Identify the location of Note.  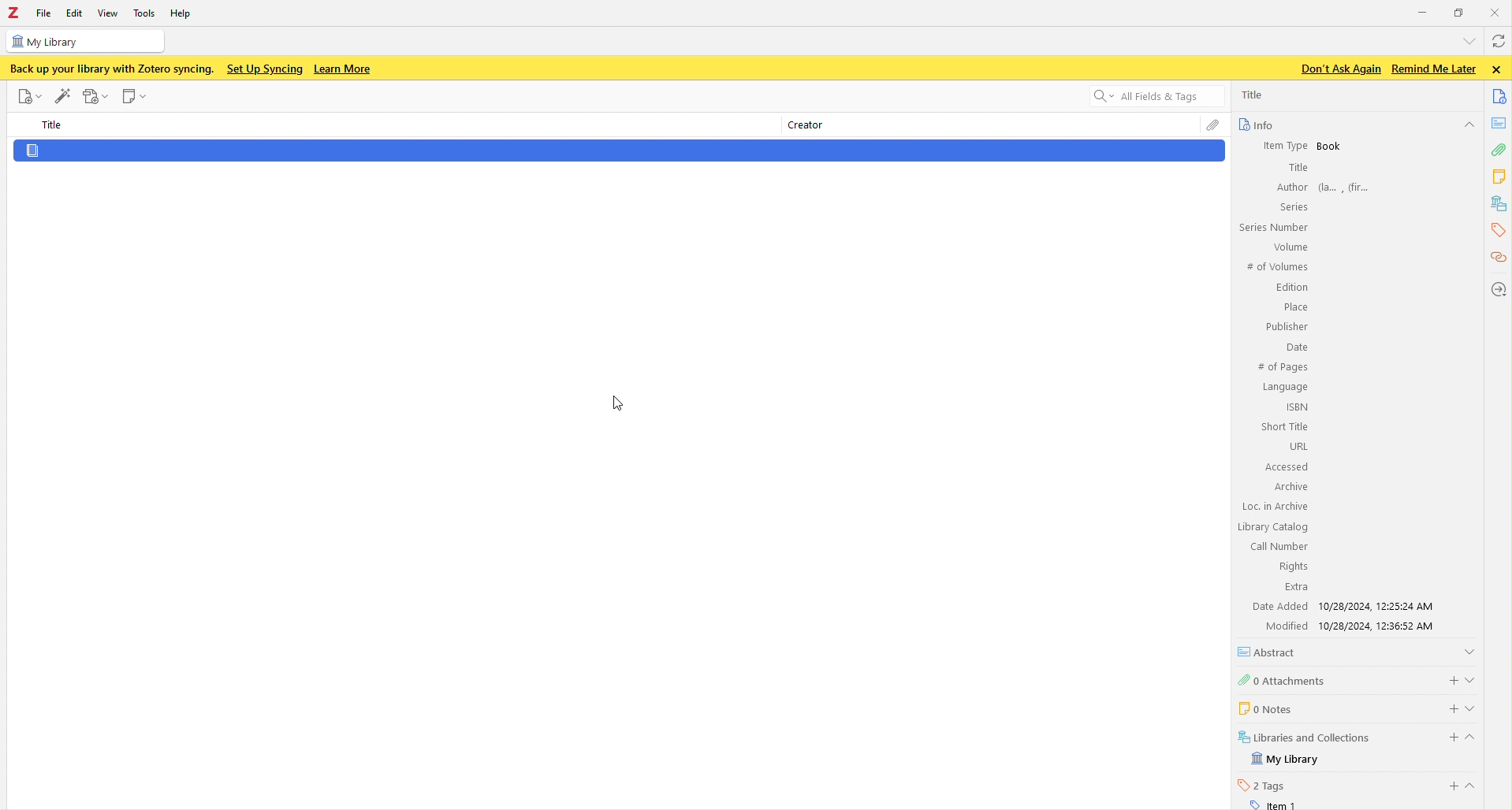
(136, 97).